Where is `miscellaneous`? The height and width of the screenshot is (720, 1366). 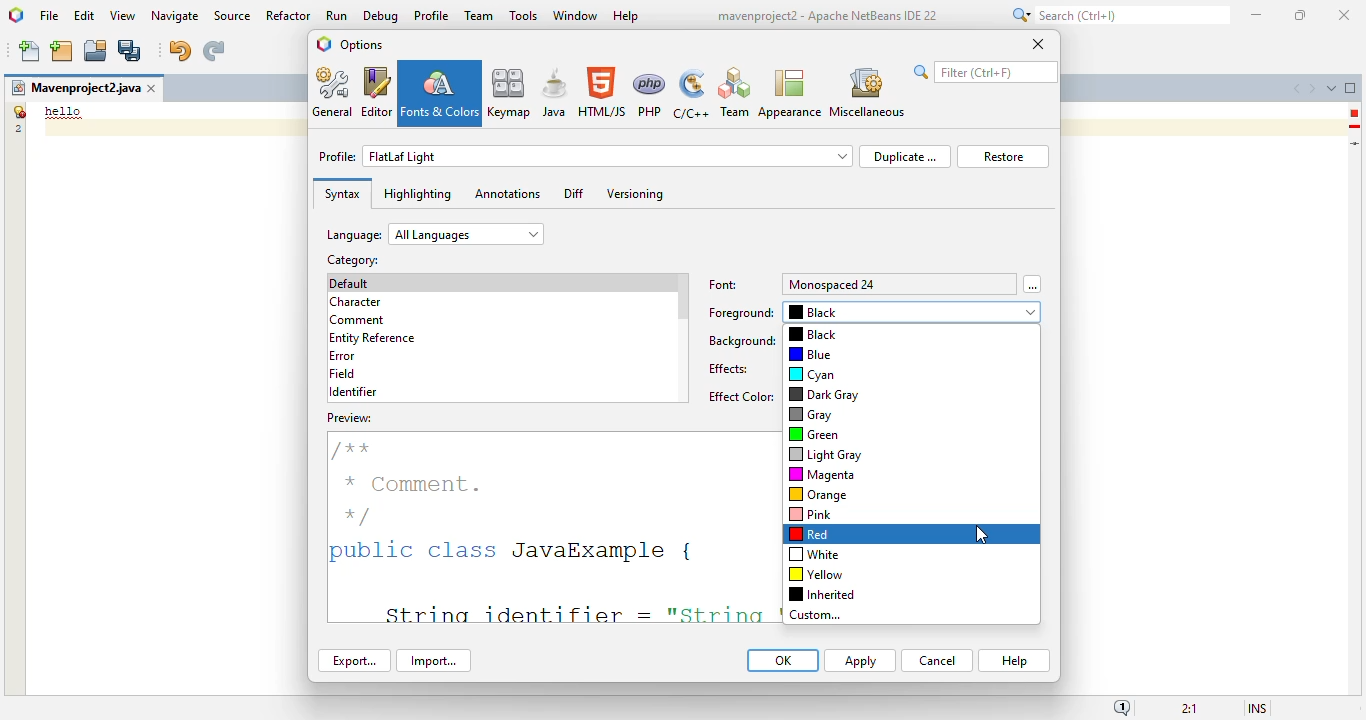
miscellaneous is located at coordinates (866, 93).